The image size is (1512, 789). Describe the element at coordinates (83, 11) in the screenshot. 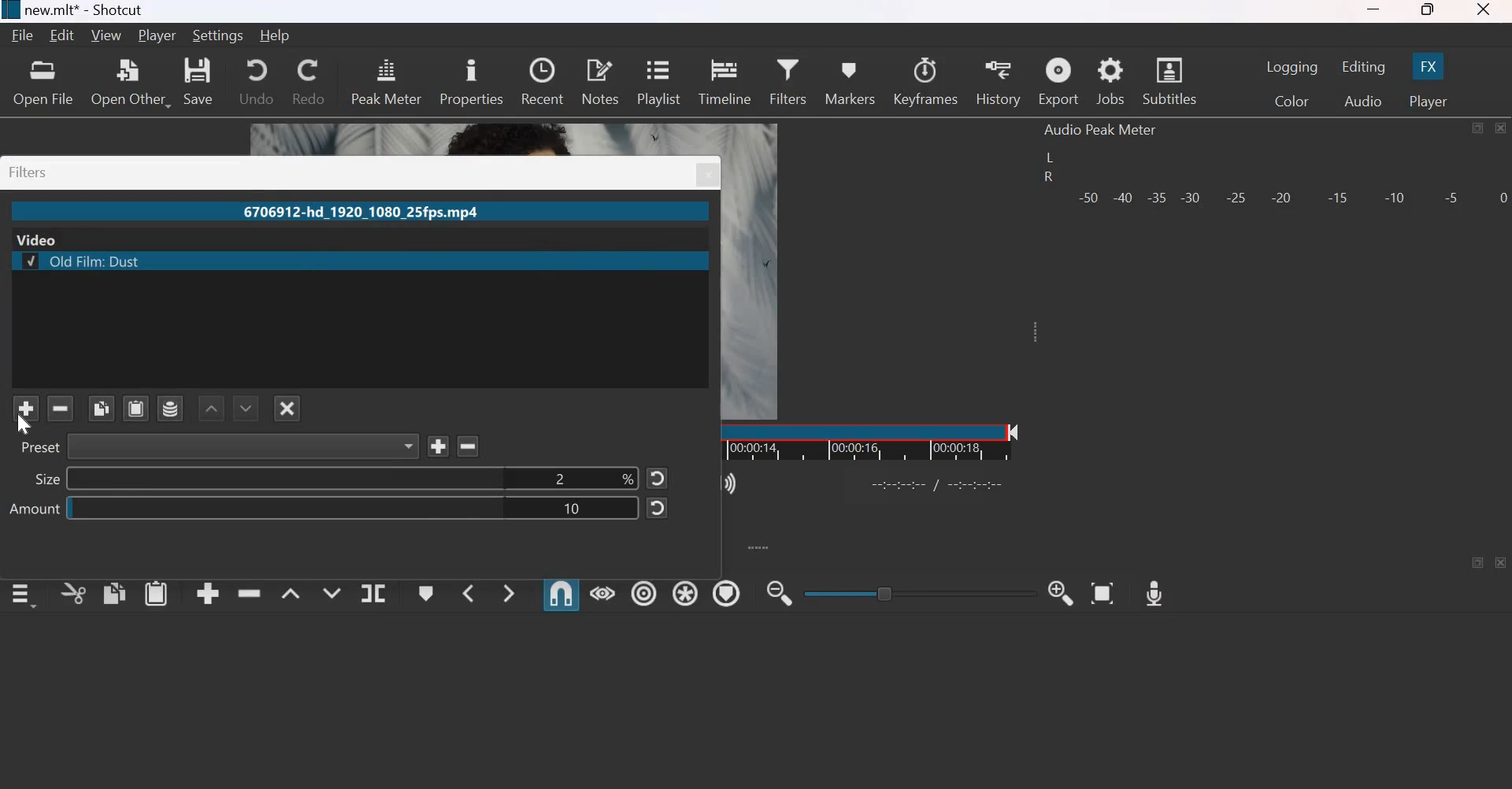

I see `new.mlt* - Shotcut` at that location.